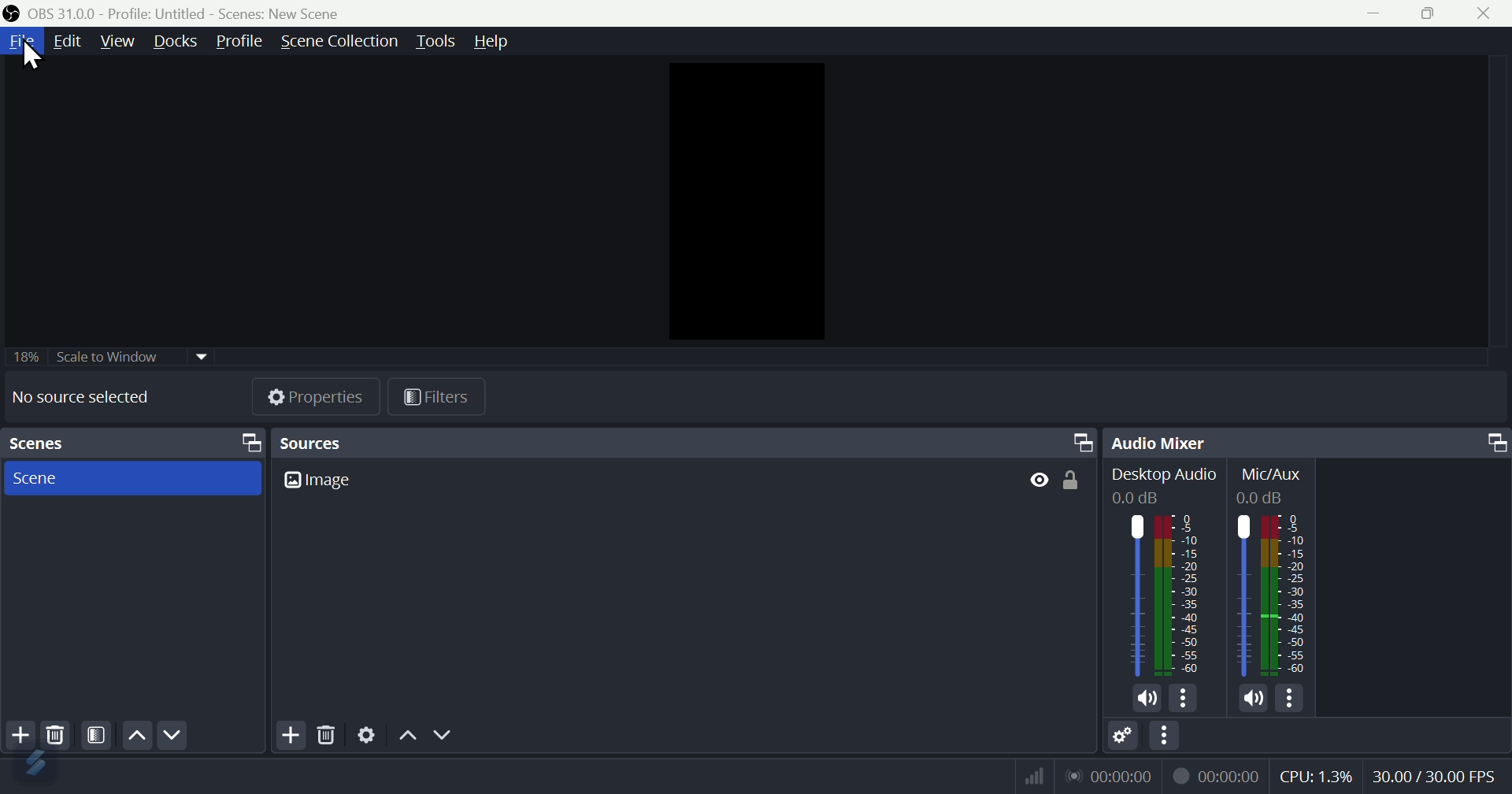  Describe the element at coordinates (439, 40) in the screenshot. I see `Tools` at that location.